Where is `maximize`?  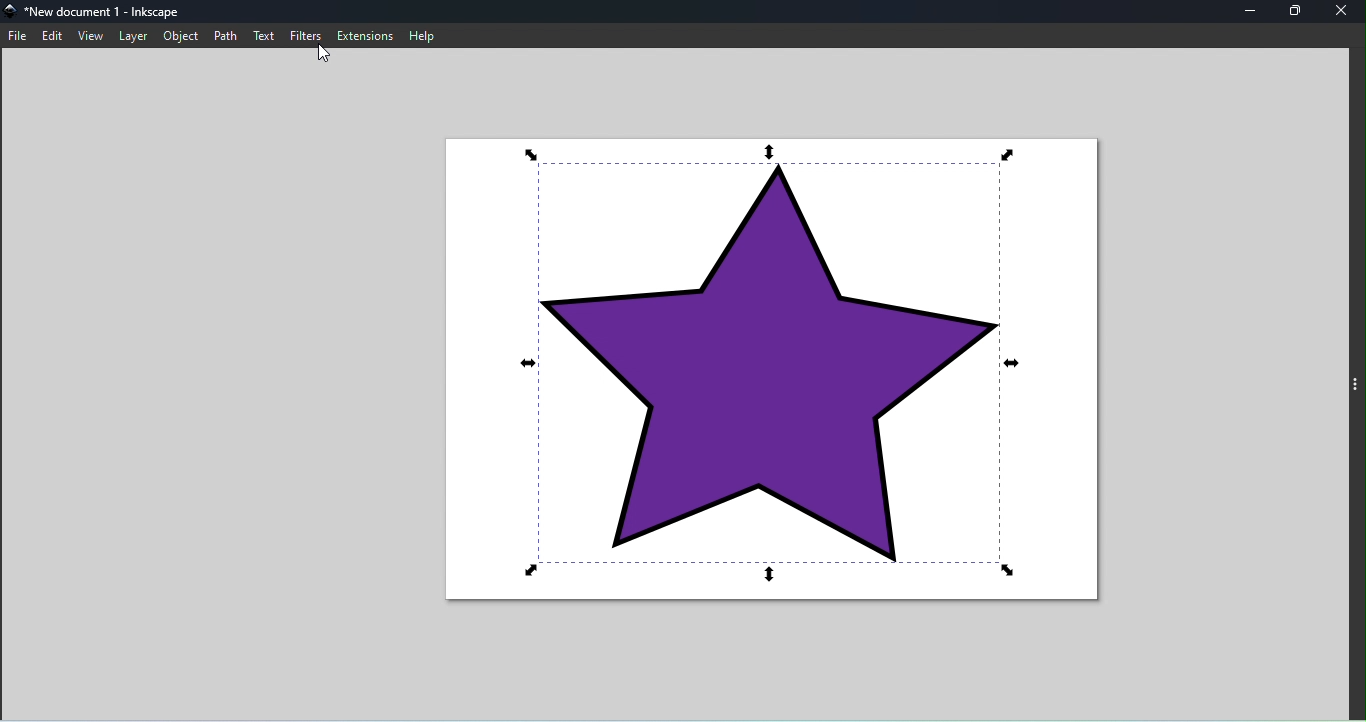
maximize is located at coordinates (1295, 12).